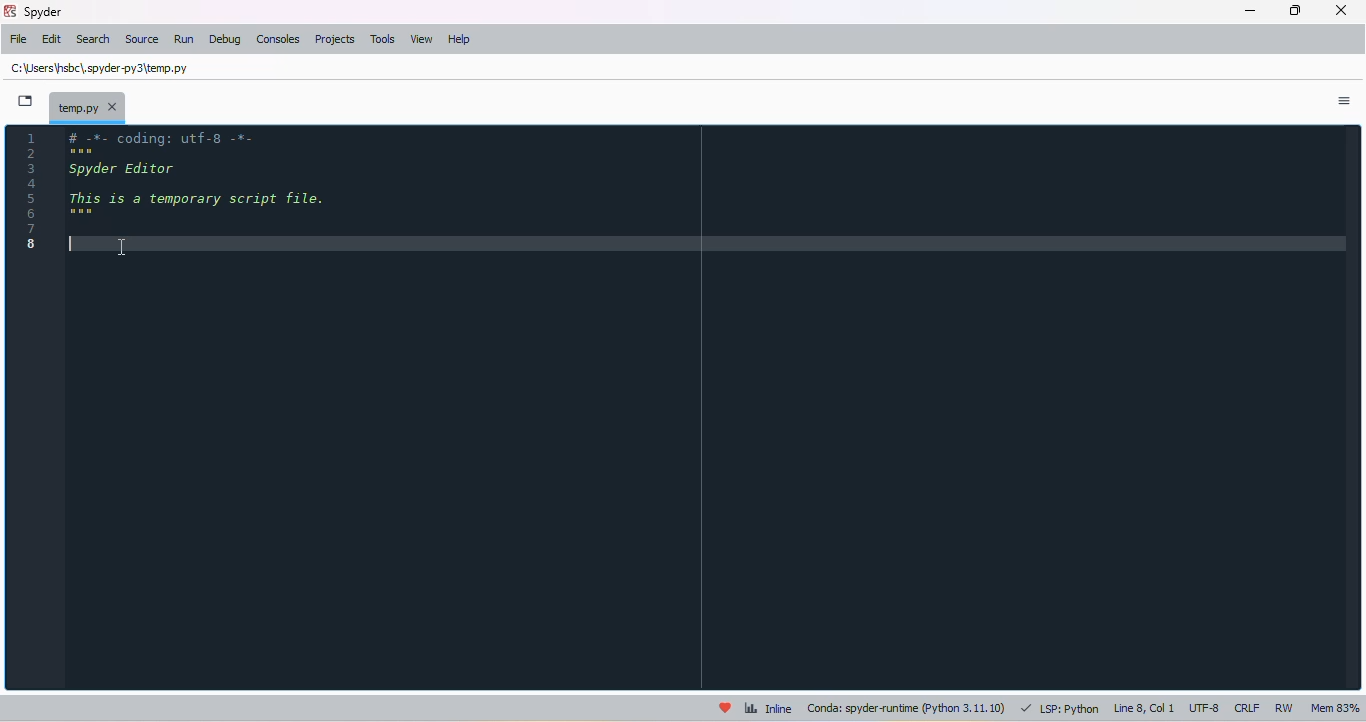 Image resolution: width=1366 pixels, height=722 pixels. Describe the element at coordinates (1252, 11) in the screenshot. I see `minimize` at that location.